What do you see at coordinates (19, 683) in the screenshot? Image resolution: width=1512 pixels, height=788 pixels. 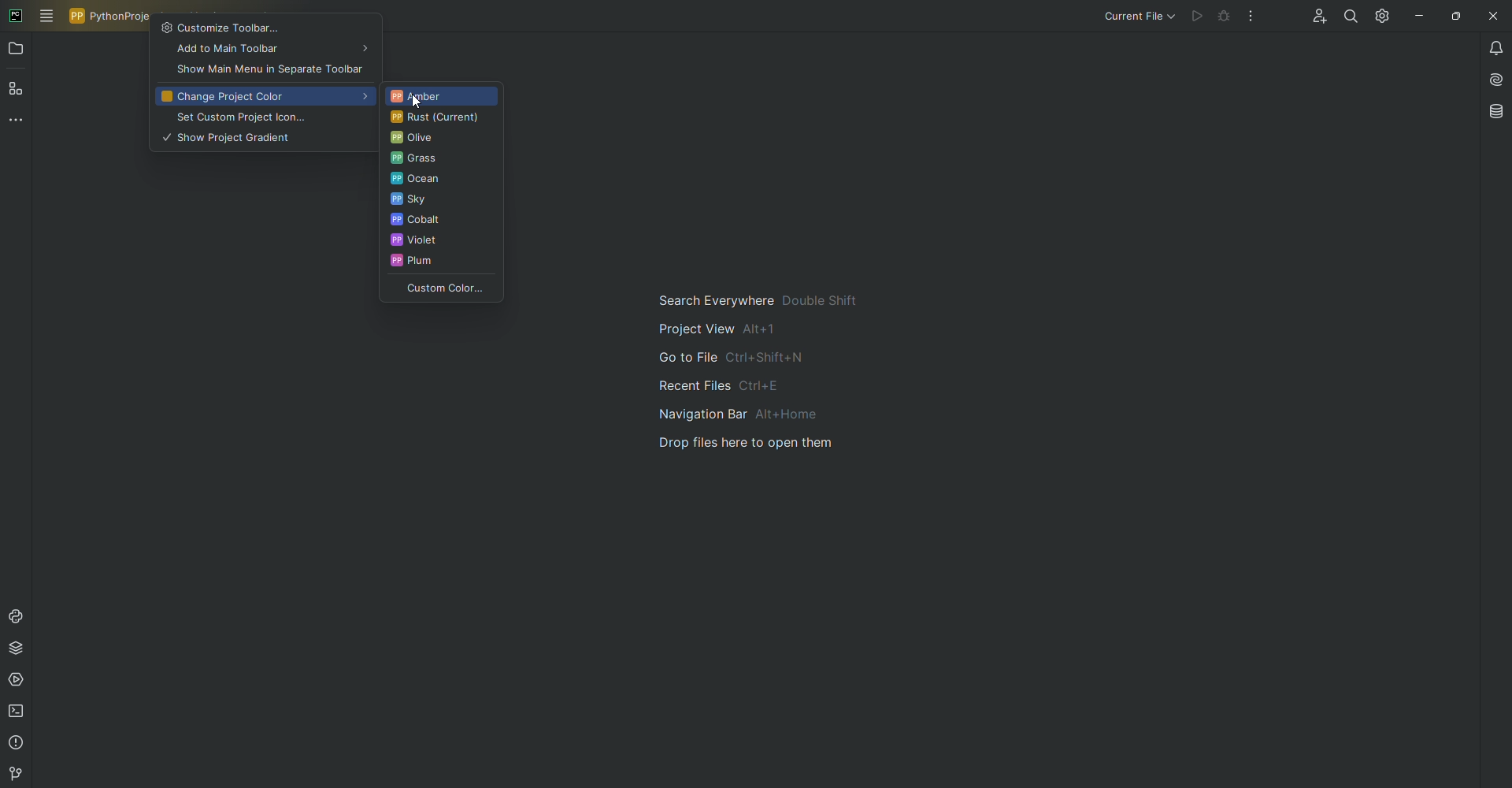 I see `Services` at bounding box center [19, 683].